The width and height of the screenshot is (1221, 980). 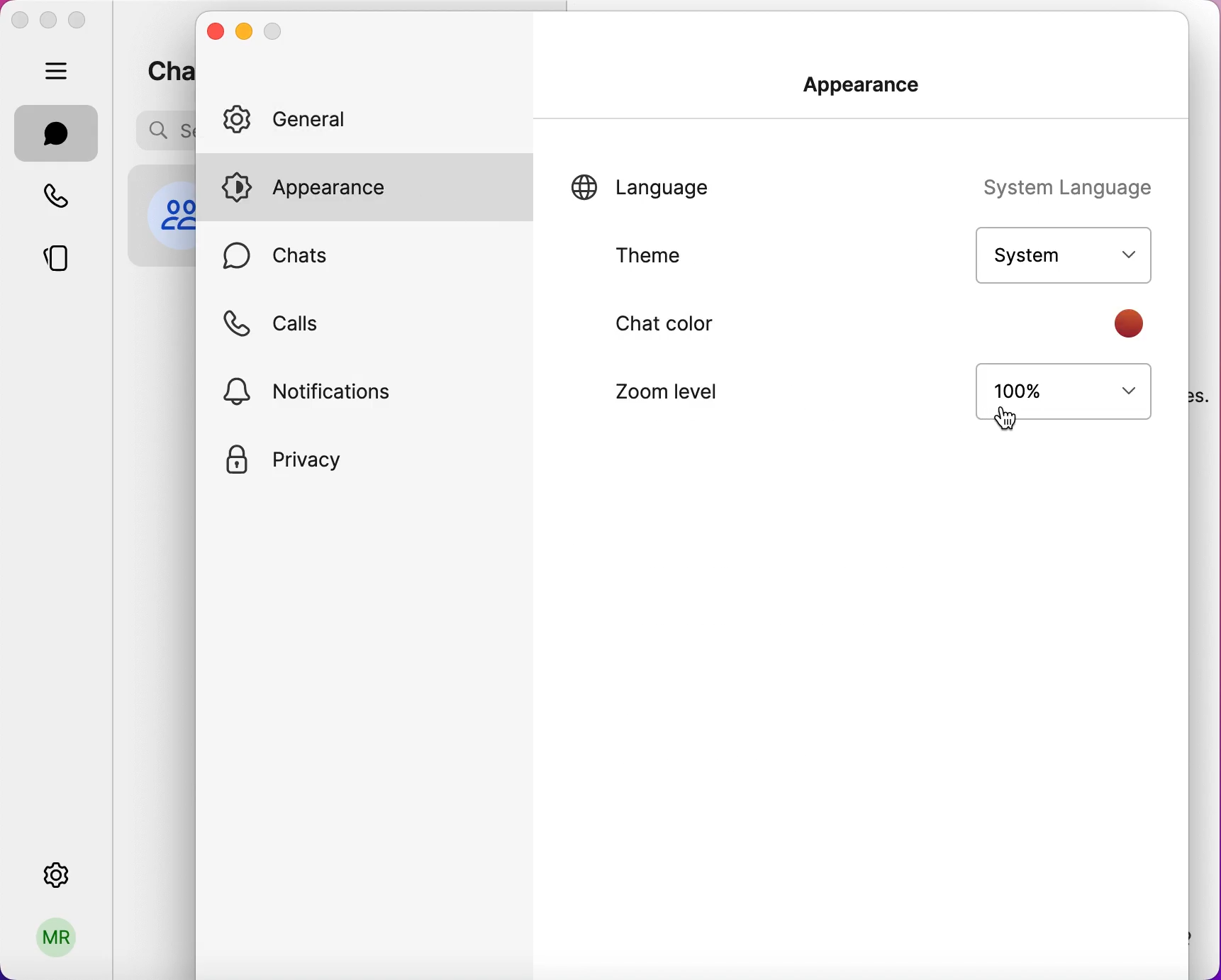 I want to click on profile picture, so click(x=56, y=939).